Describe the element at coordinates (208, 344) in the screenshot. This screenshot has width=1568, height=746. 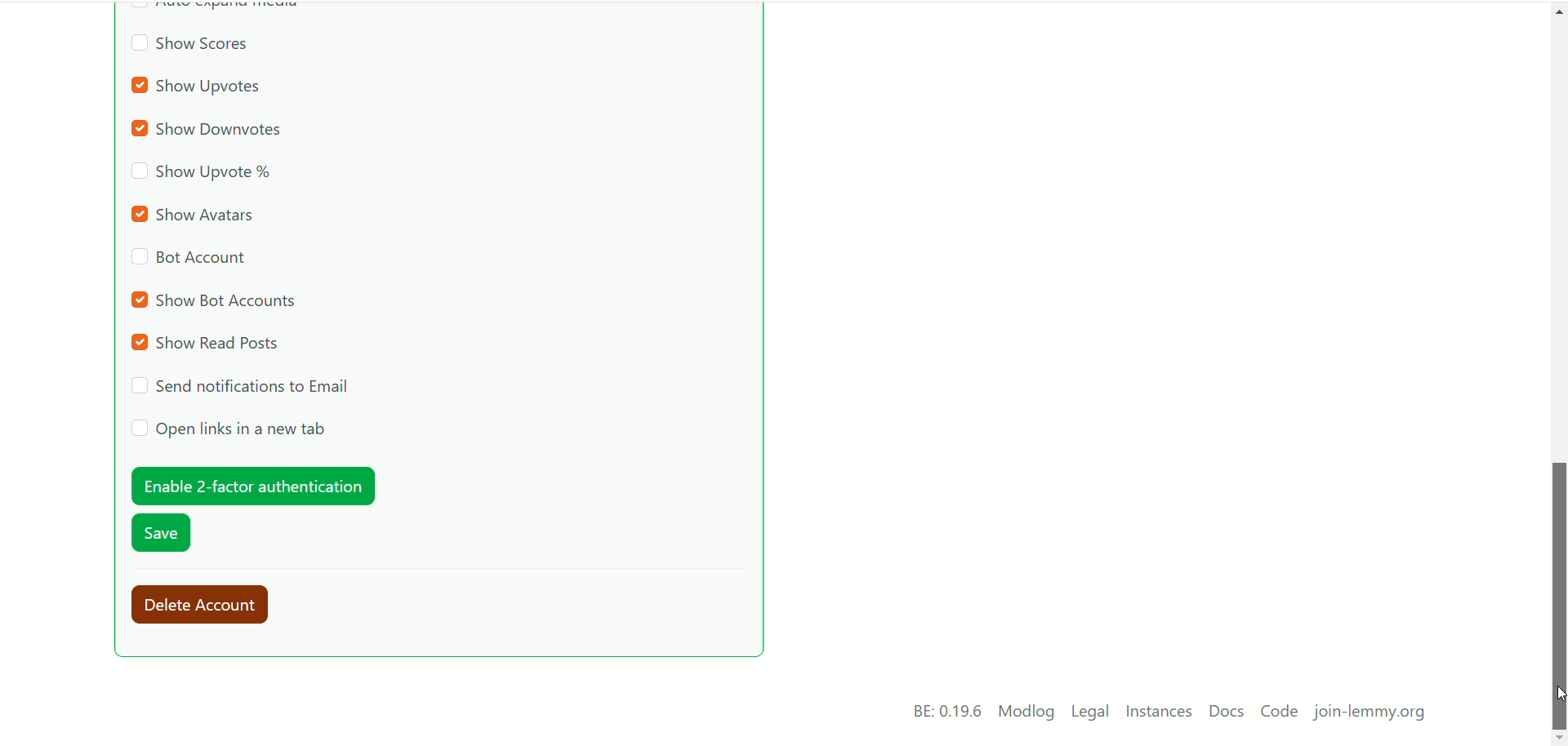
I see `show read posts` at that location.